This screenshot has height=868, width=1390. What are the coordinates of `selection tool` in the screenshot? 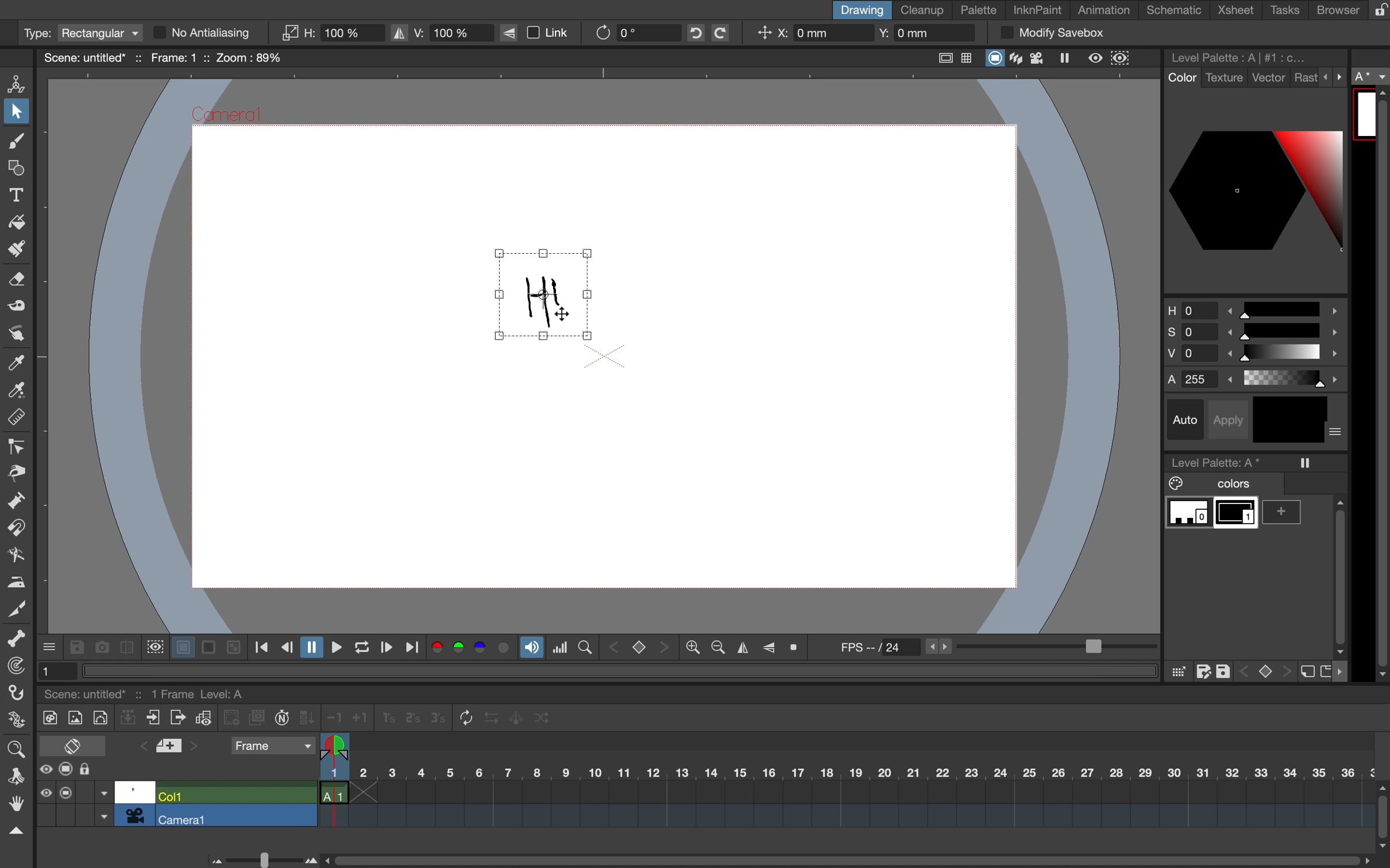 It's located at (17, 114).